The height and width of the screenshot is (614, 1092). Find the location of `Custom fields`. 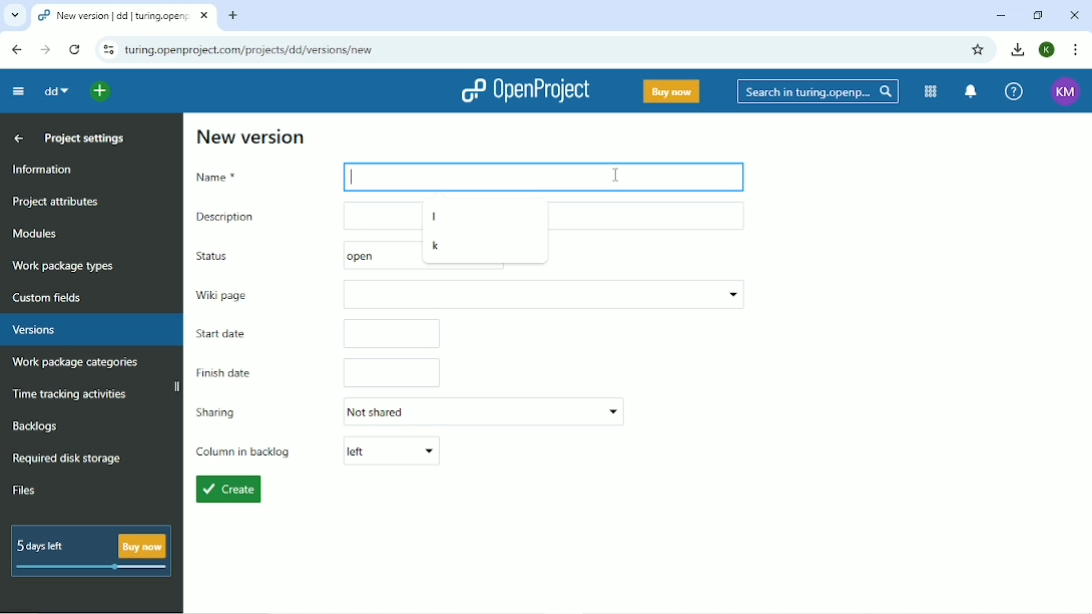

Custom fields is located at coordinates (53, 299).